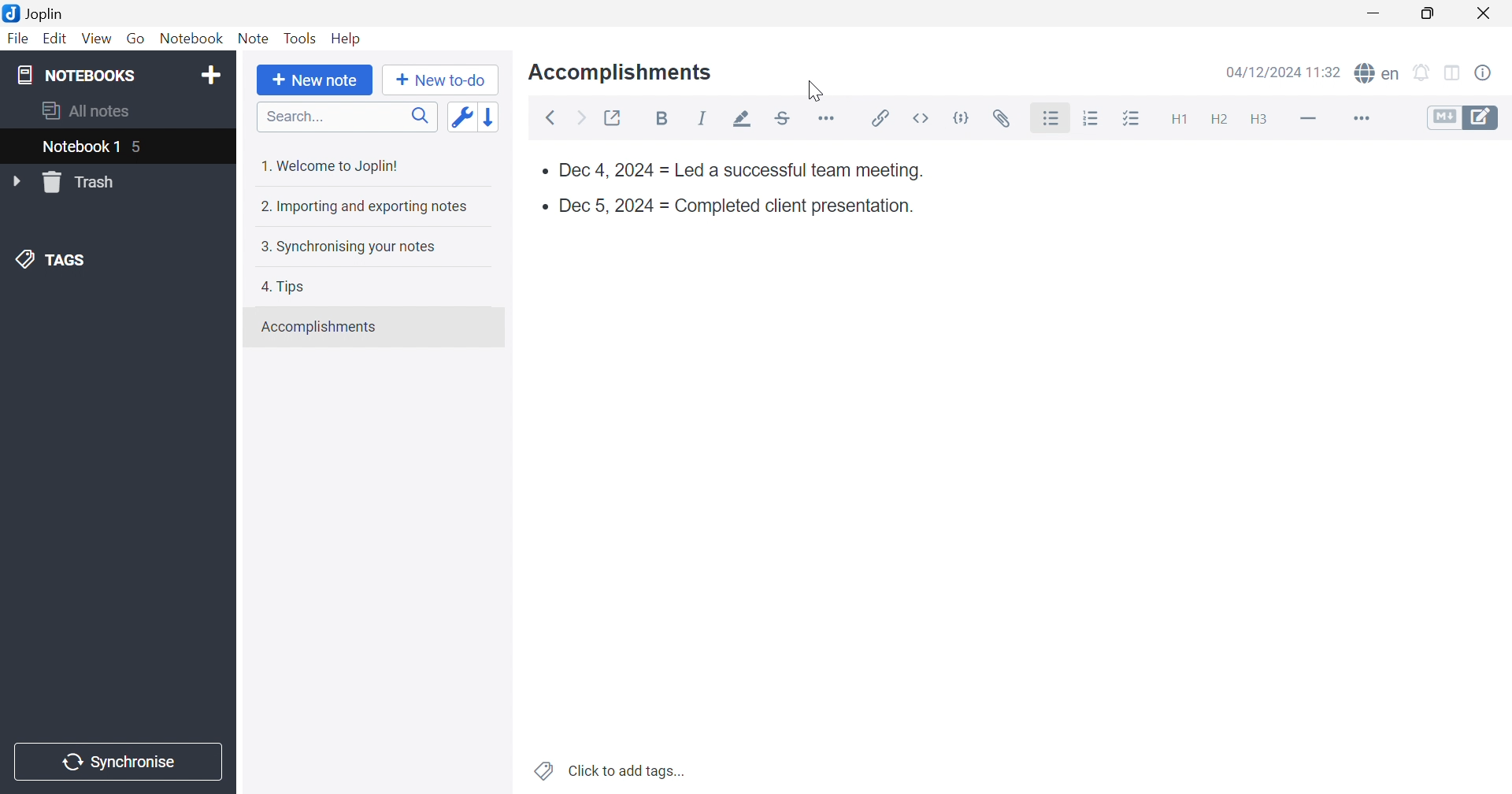 The image size is (1512, 794). What do you see at coordinates (1429, 14) in the screenshot?
I see `Restore Down` at bounding box center [1429, 14].